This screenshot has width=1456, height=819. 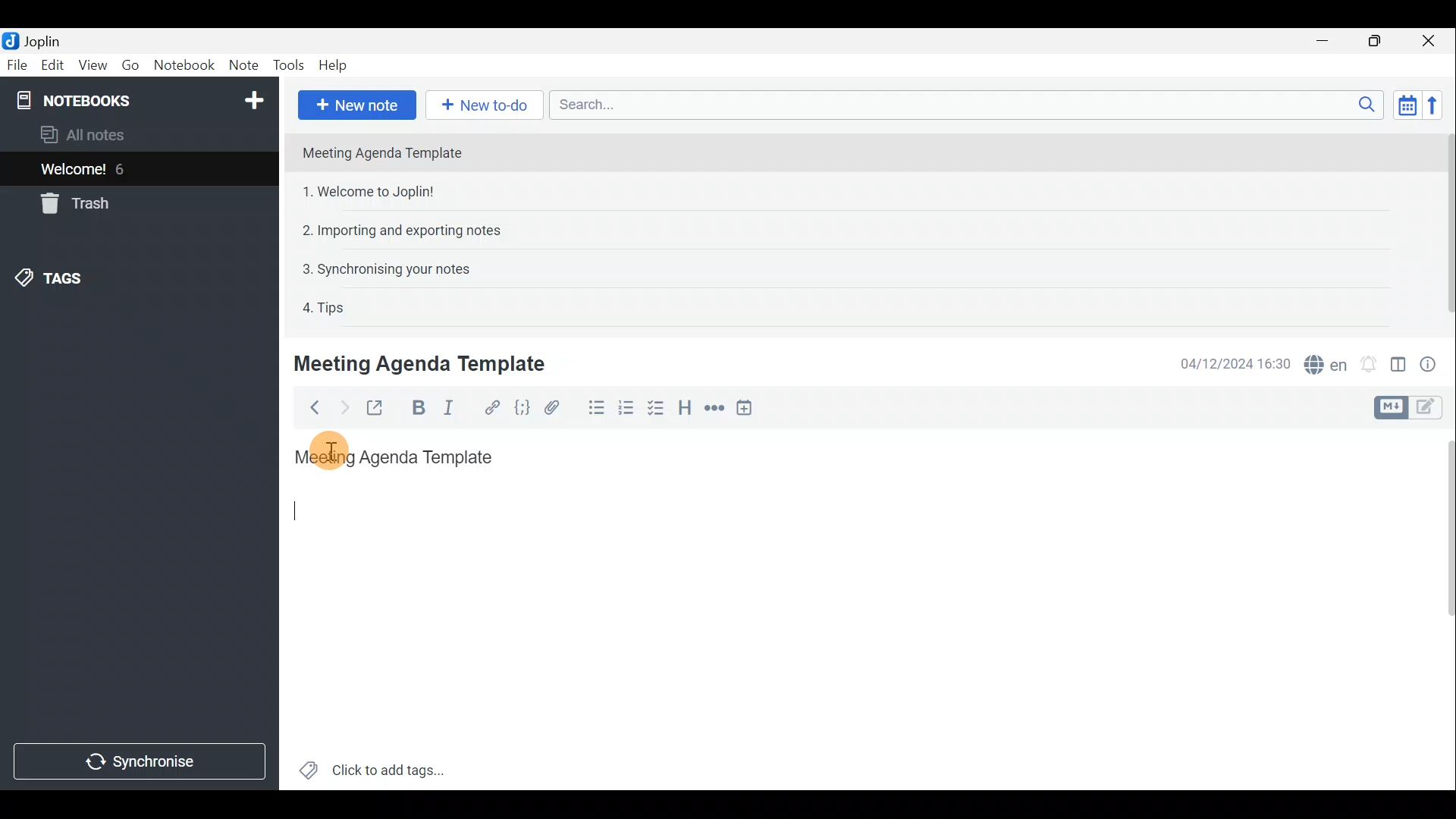 What do you see at coordinates (494, 407) in the screenshot?
I see `Hyperlink` at bounding box center [494, 407].